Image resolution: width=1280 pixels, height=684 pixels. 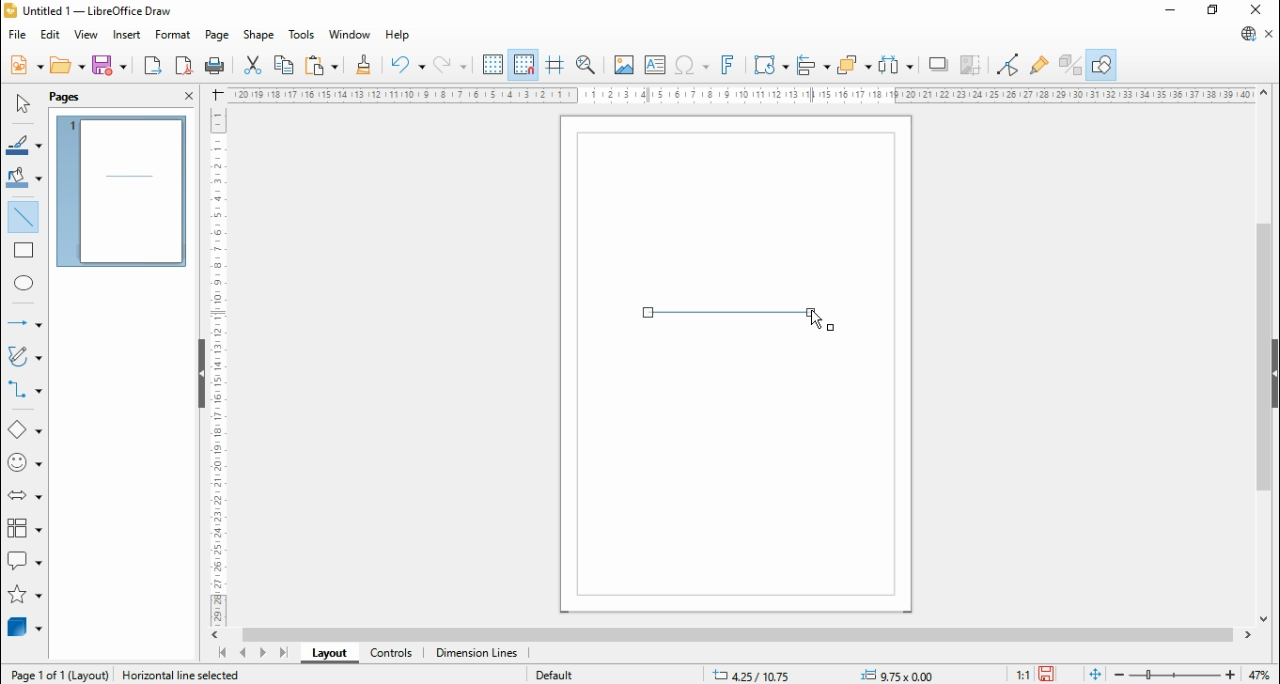 I want to click on Scale, so click(x=218, y=366).